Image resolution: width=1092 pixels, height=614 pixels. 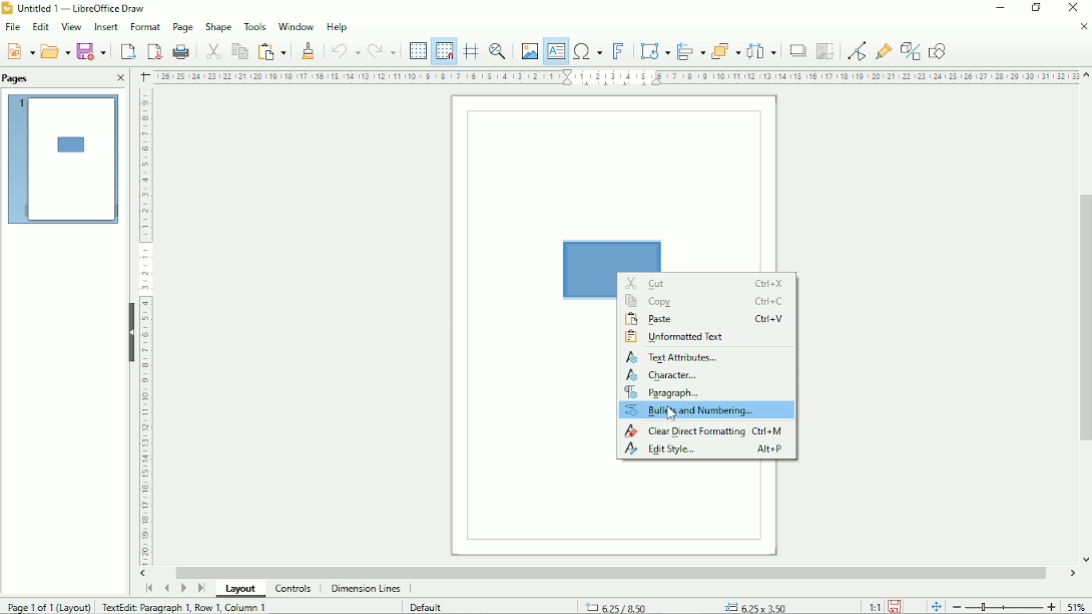 What do you see at coordinates (238, 50) in the screenshot?
I see `Copy` at bounding box center [238, 50].